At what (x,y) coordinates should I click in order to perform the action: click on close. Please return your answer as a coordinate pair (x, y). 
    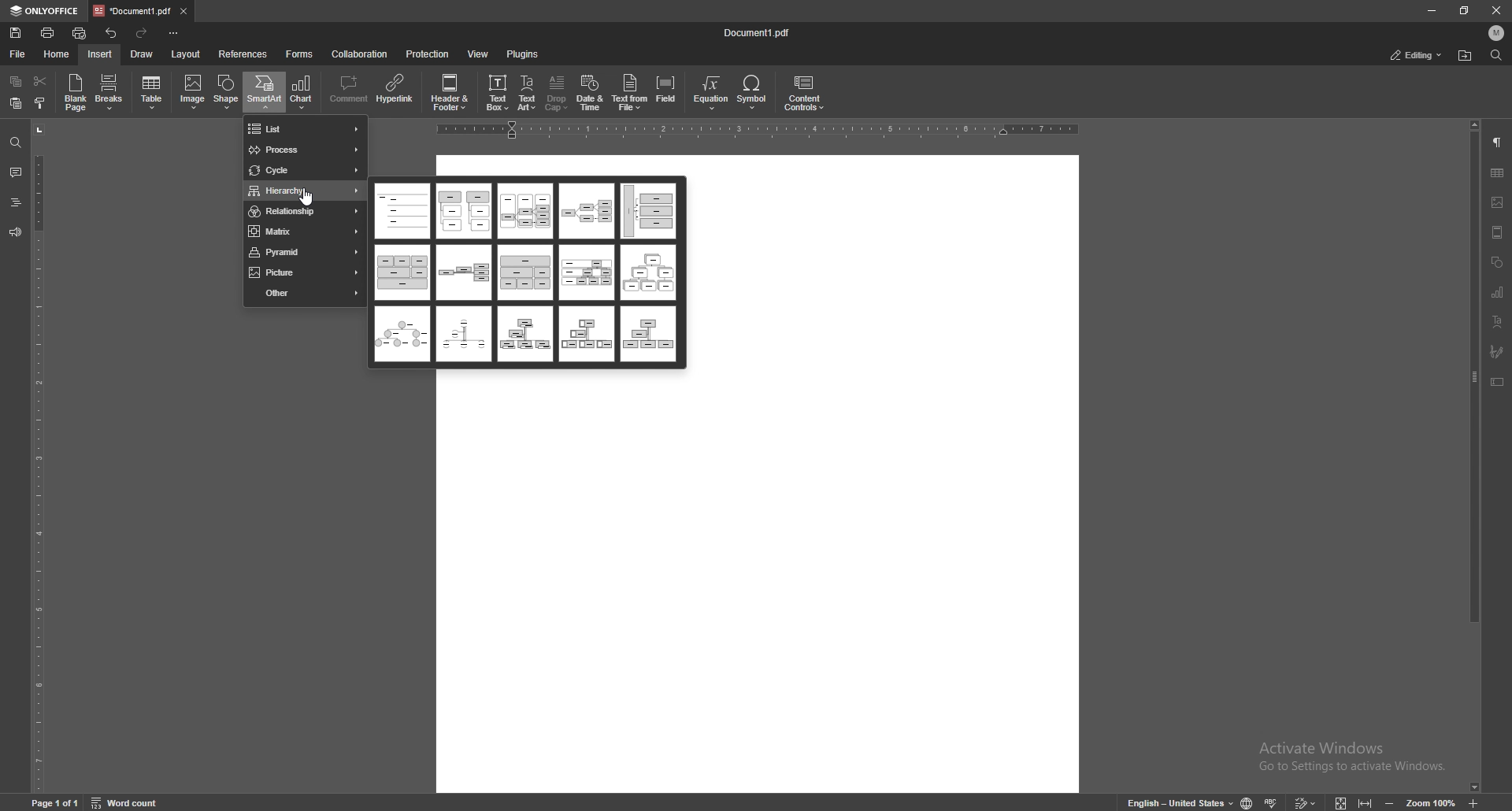
    Looking at the image, I should click on (1497, 9).